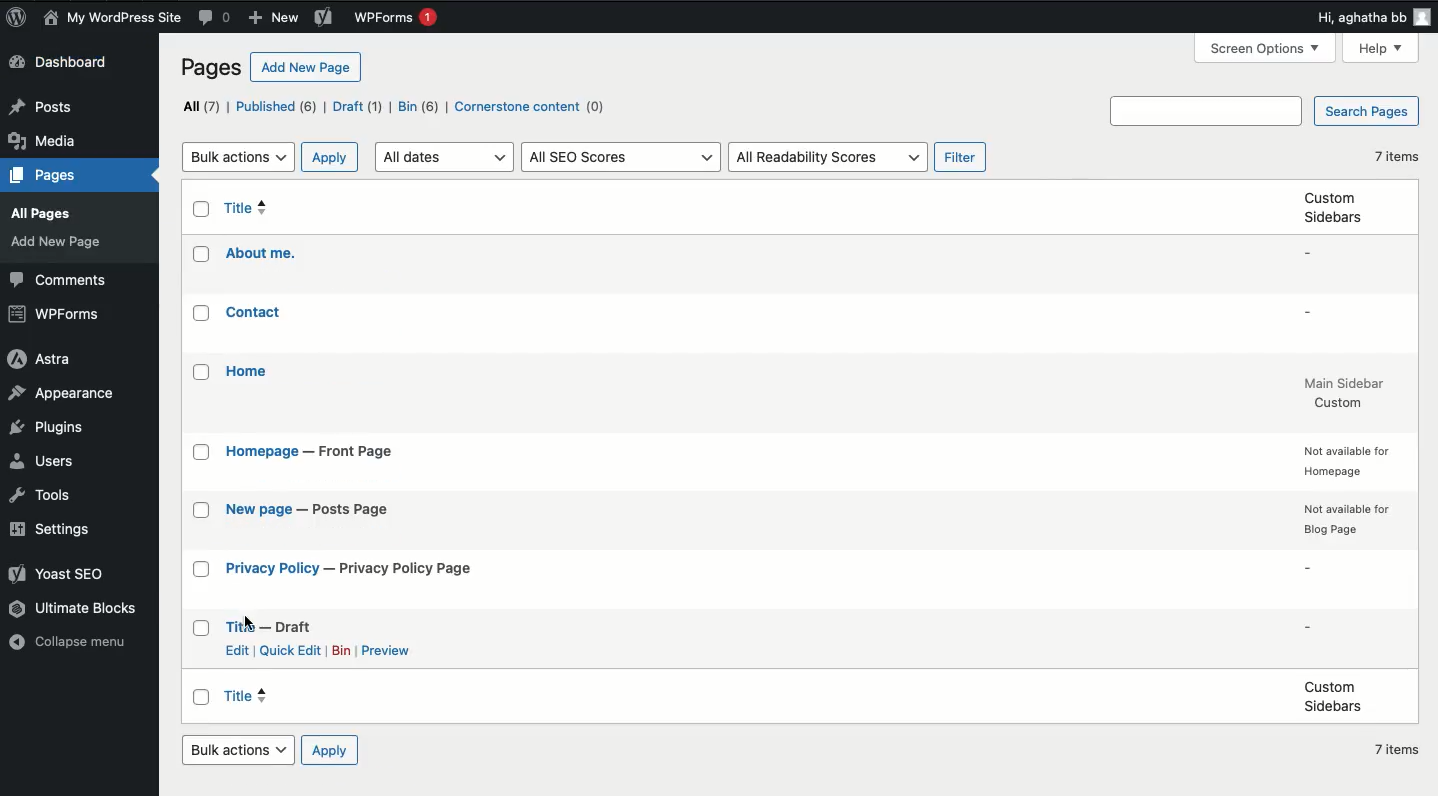  What do you see at coordinates (212, 68) in the screenshot?
I see `Pages` at bounding box center [212, 68].